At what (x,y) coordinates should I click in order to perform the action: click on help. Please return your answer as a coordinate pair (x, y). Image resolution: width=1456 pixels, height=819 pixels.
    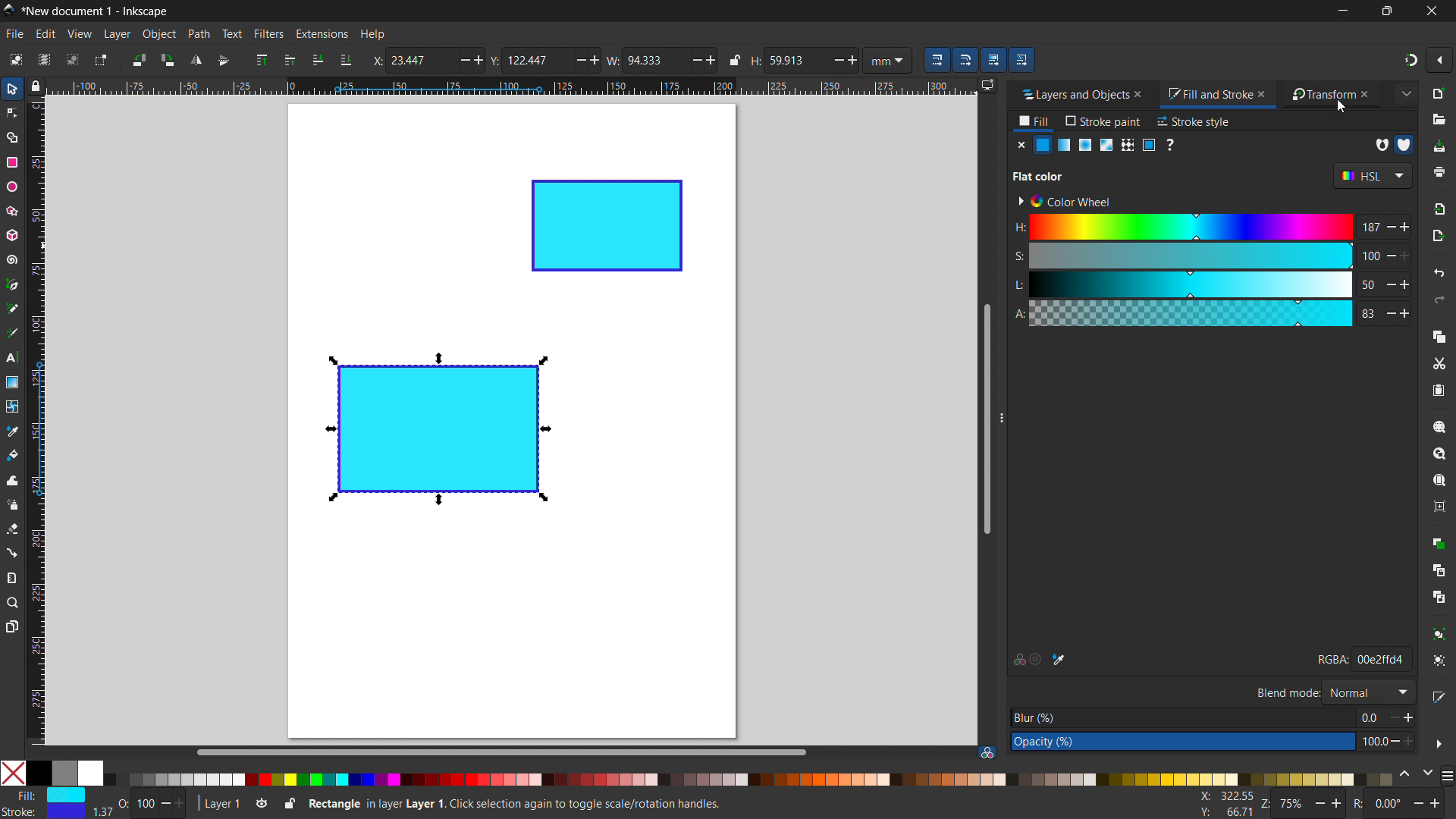
    Looking at the image, I should click on (372, 35).